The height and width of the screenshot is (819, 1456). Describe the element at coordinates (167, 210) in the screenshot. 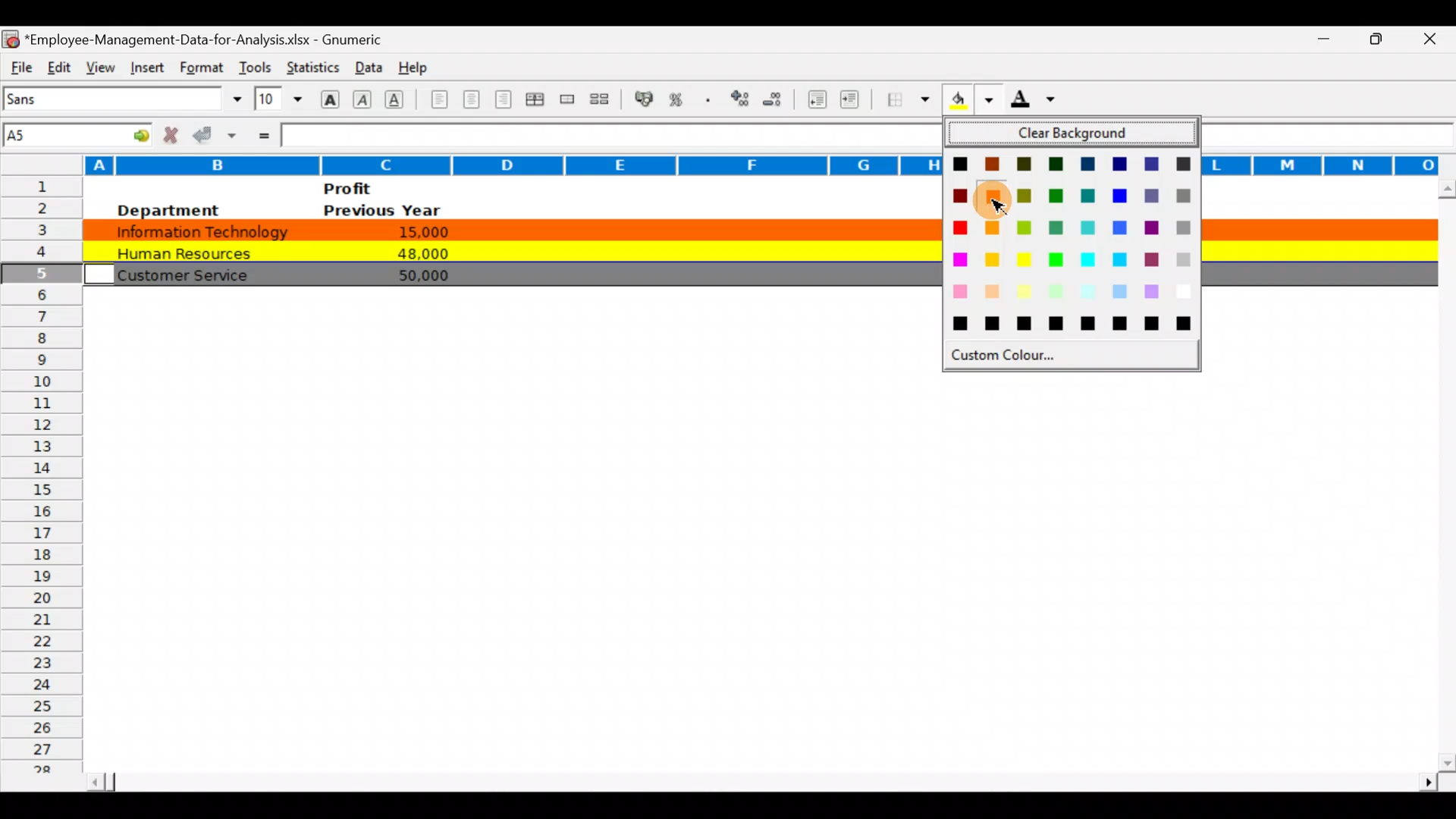

I see `Department` at that location.